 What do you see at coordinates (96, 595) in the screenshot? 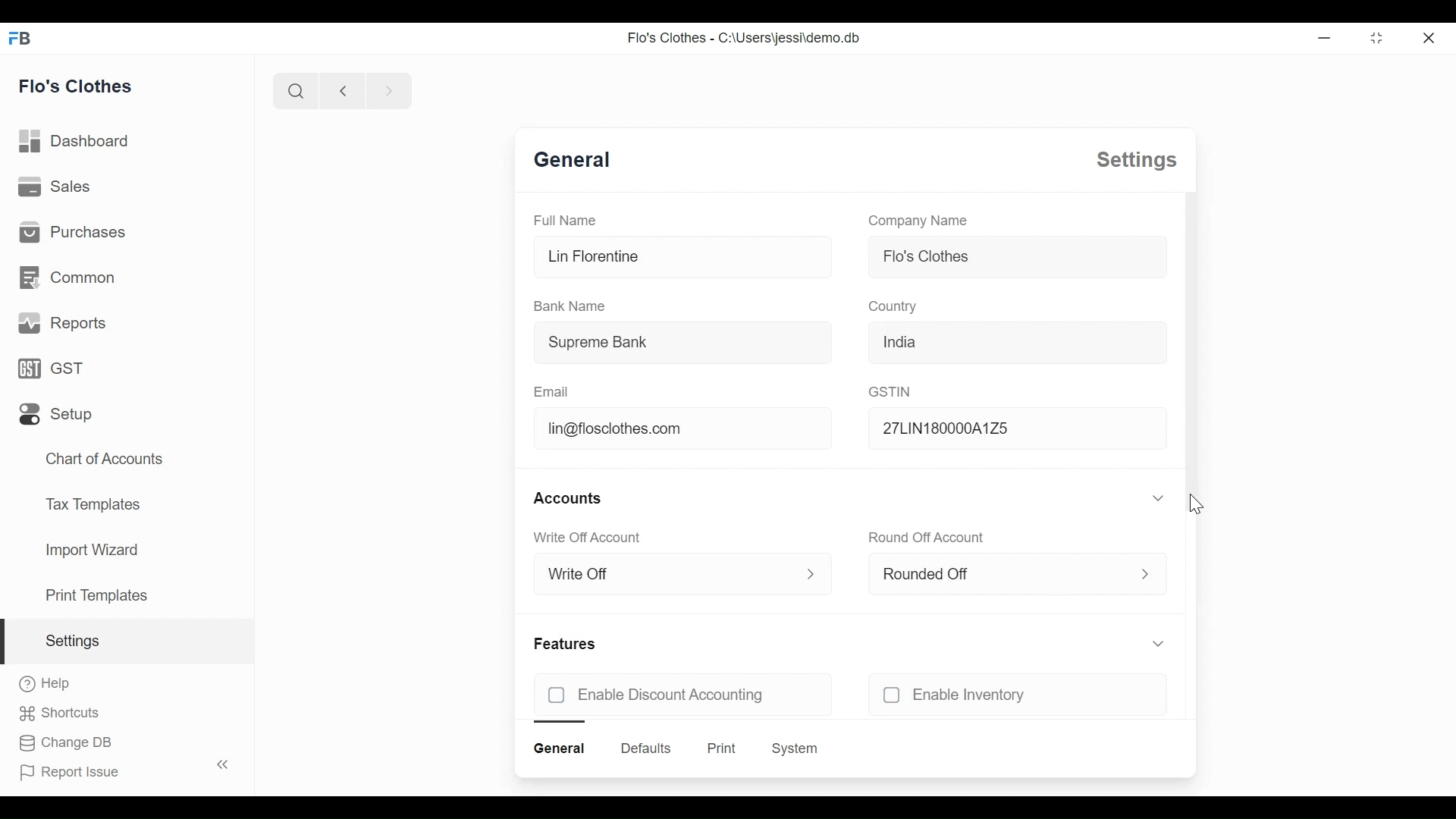
I see `Print Templates` at bounding box center [96, 595].